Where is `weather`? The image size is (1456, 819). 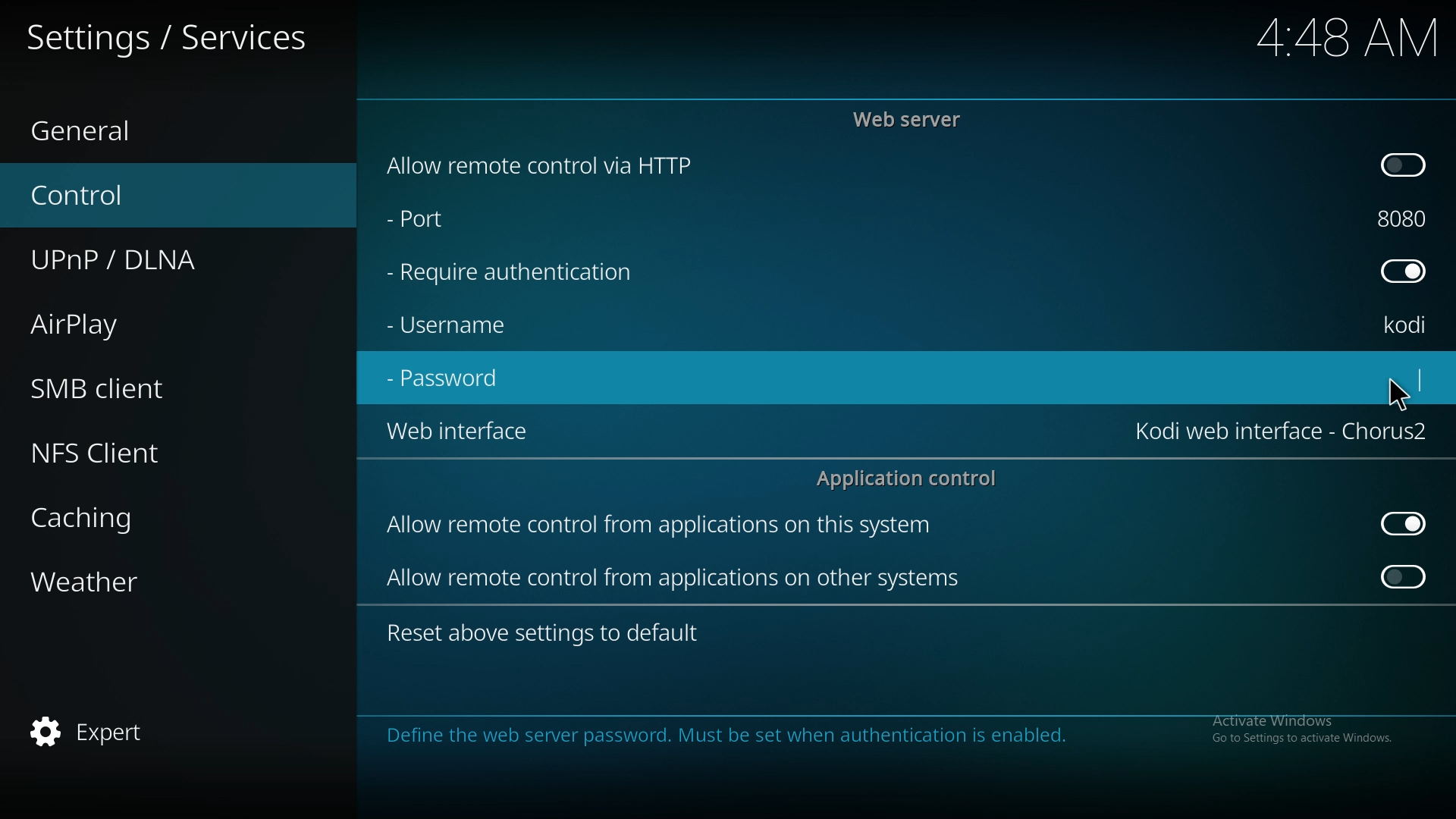
weather is located at coordinates (117, 582).